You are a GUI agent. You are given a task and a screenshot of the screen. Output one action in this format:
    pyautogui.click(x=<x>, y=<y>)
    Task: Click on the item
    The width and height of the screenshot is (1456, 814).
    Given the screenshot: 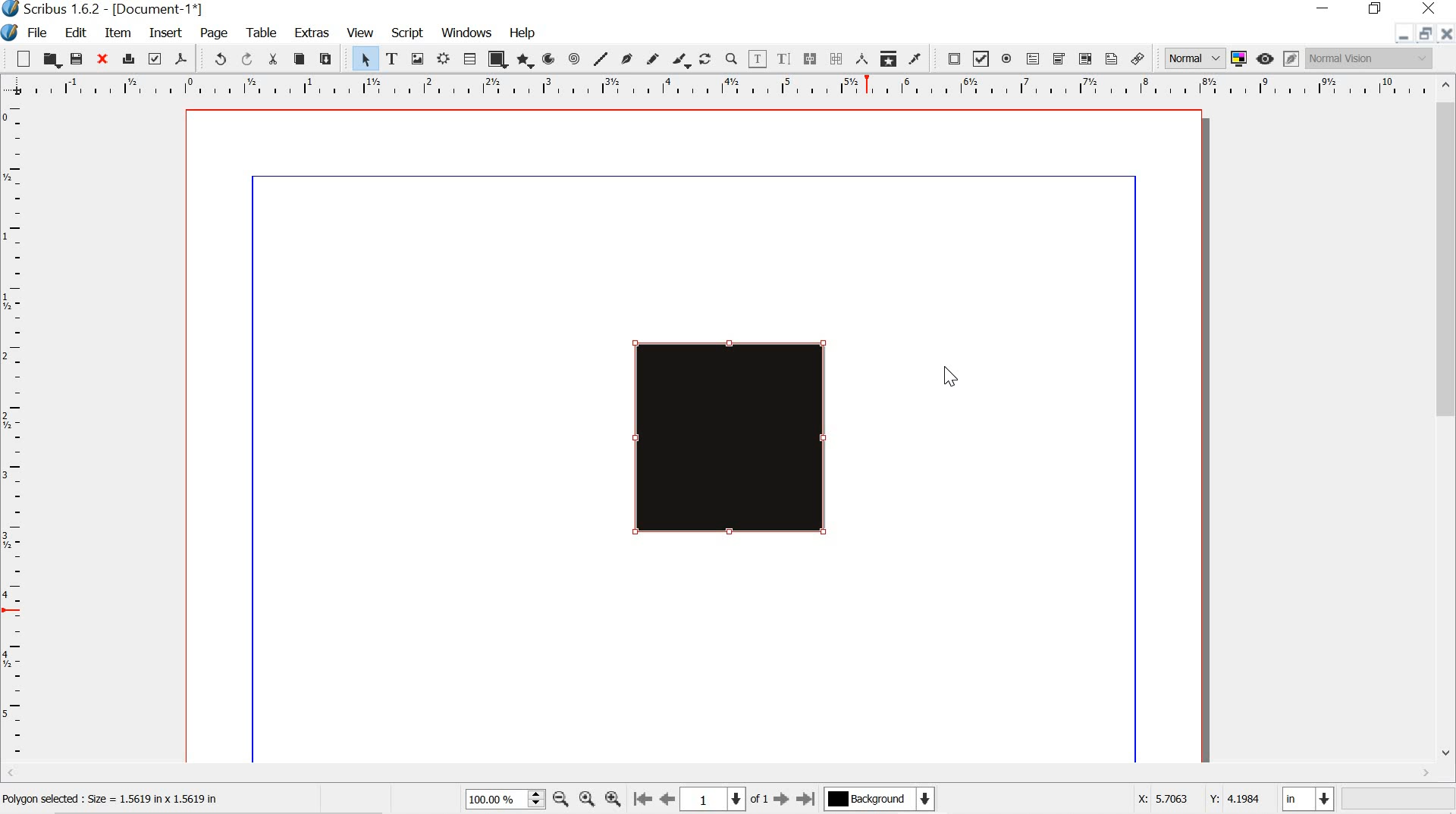 What is the action you would take?
    pyautogui.click(x=118, y=33)
    